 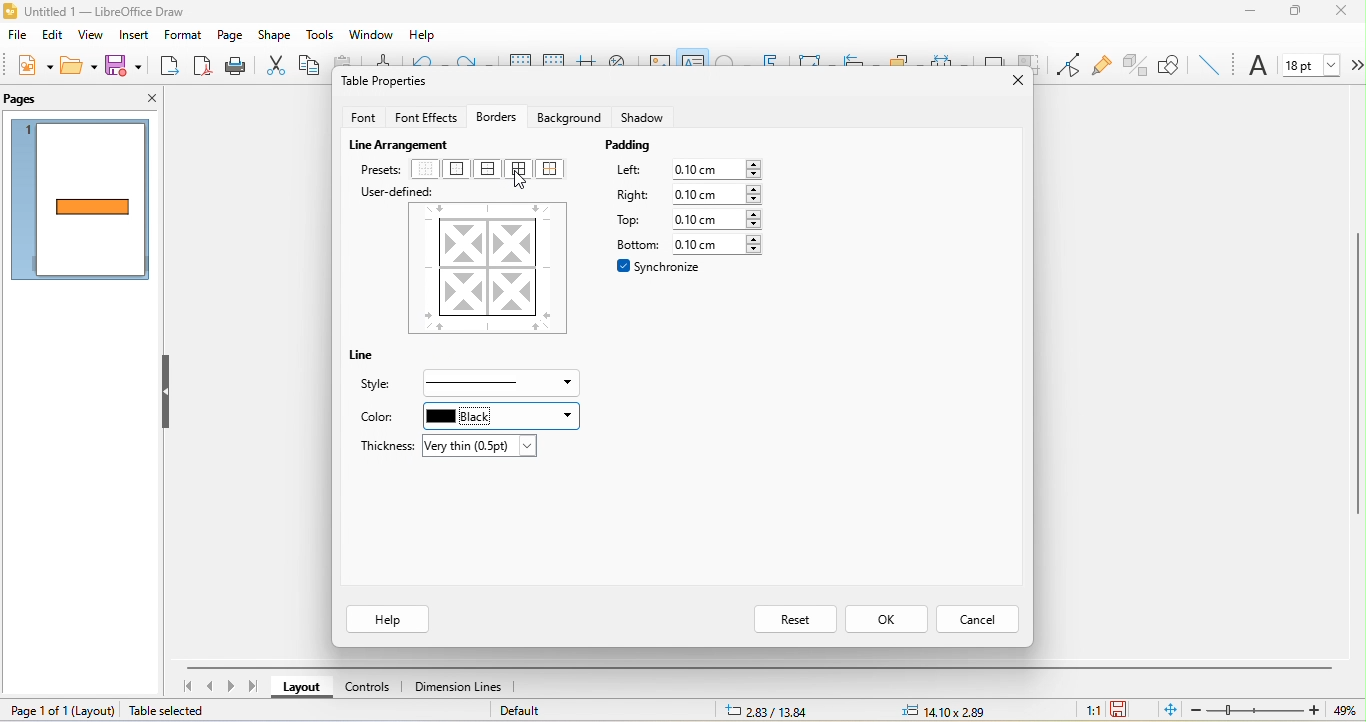 What do you see at coordinates (1357, 373) in the screenshot?
I see `vertical scroll bar` at bounding box center [1357, 373].